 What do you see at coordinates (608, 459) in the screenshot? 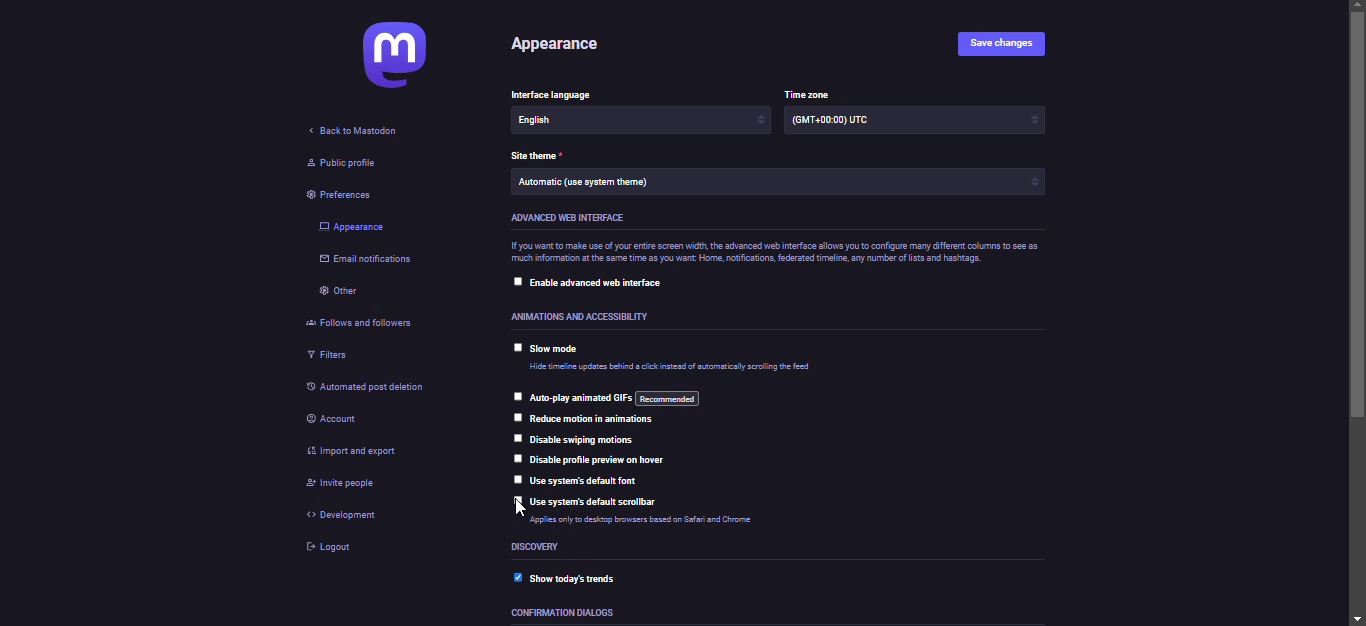
I see `disable profile preview on hover` at bounding box center [608, 459].